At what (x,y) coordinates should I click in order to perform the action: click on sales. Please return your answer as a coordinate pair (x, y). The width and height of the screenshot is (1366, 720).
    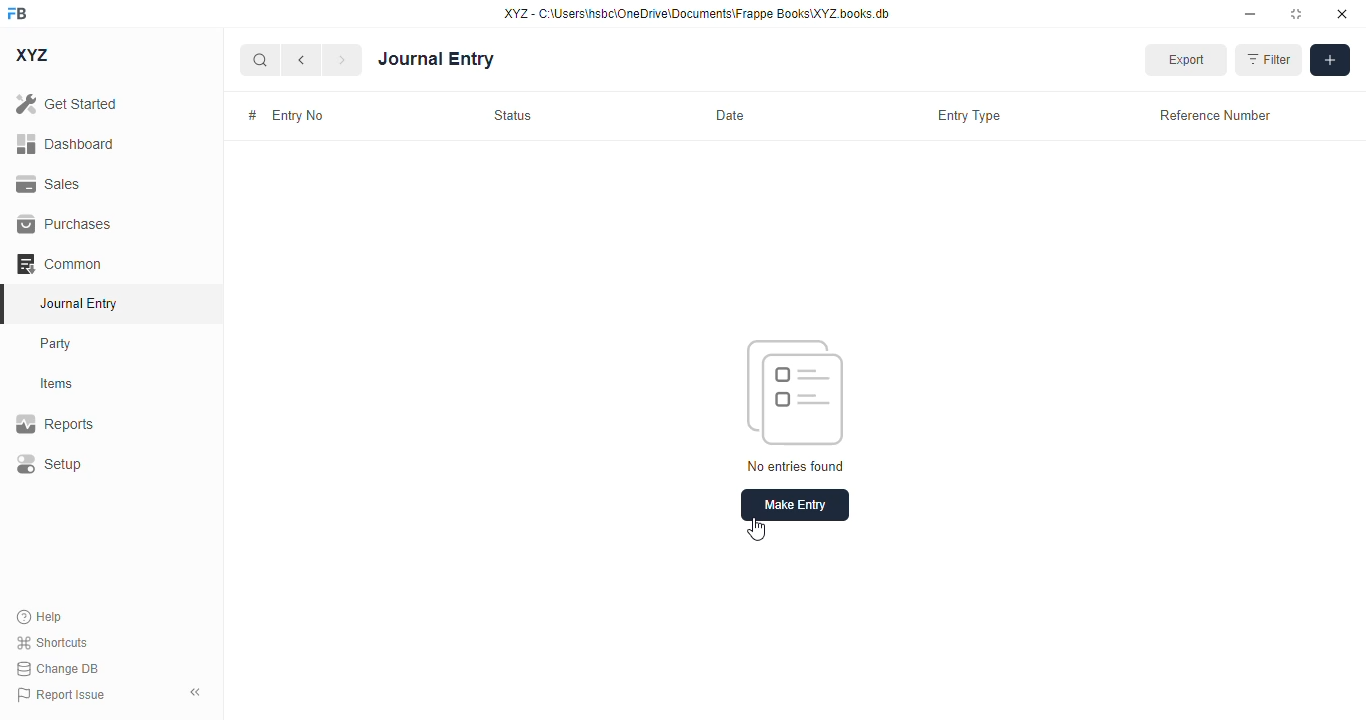
    Looking at the image, I should click on (51, 185).